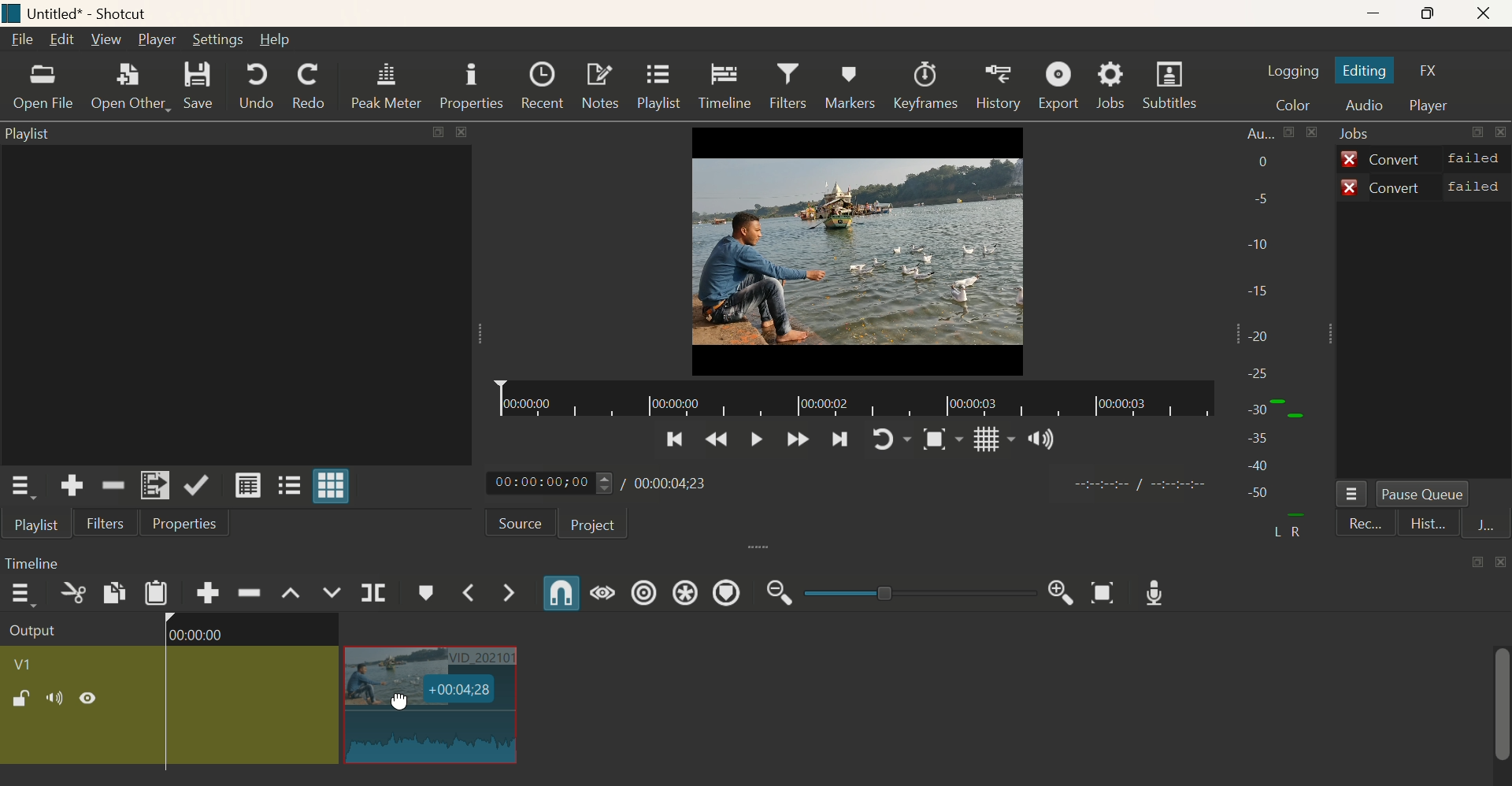 Image resolution: width=1512 pixels, height=786 pixels. What do you see at coordinates (72, 598) in the screenshot?
I see `Cut` at bounding box center [72, 598].